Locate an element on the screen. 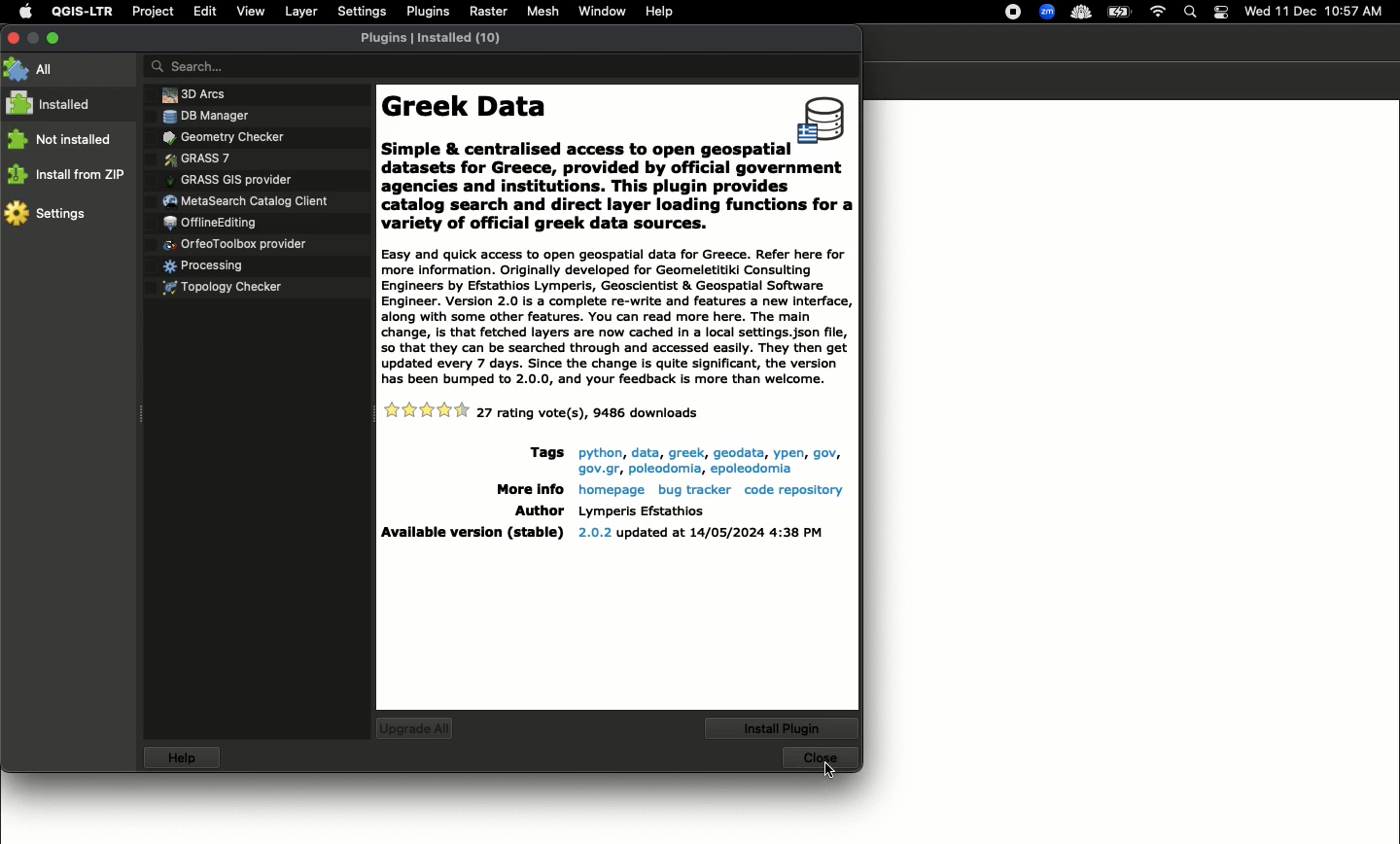  Greek data is located at coordinates (586, 124).